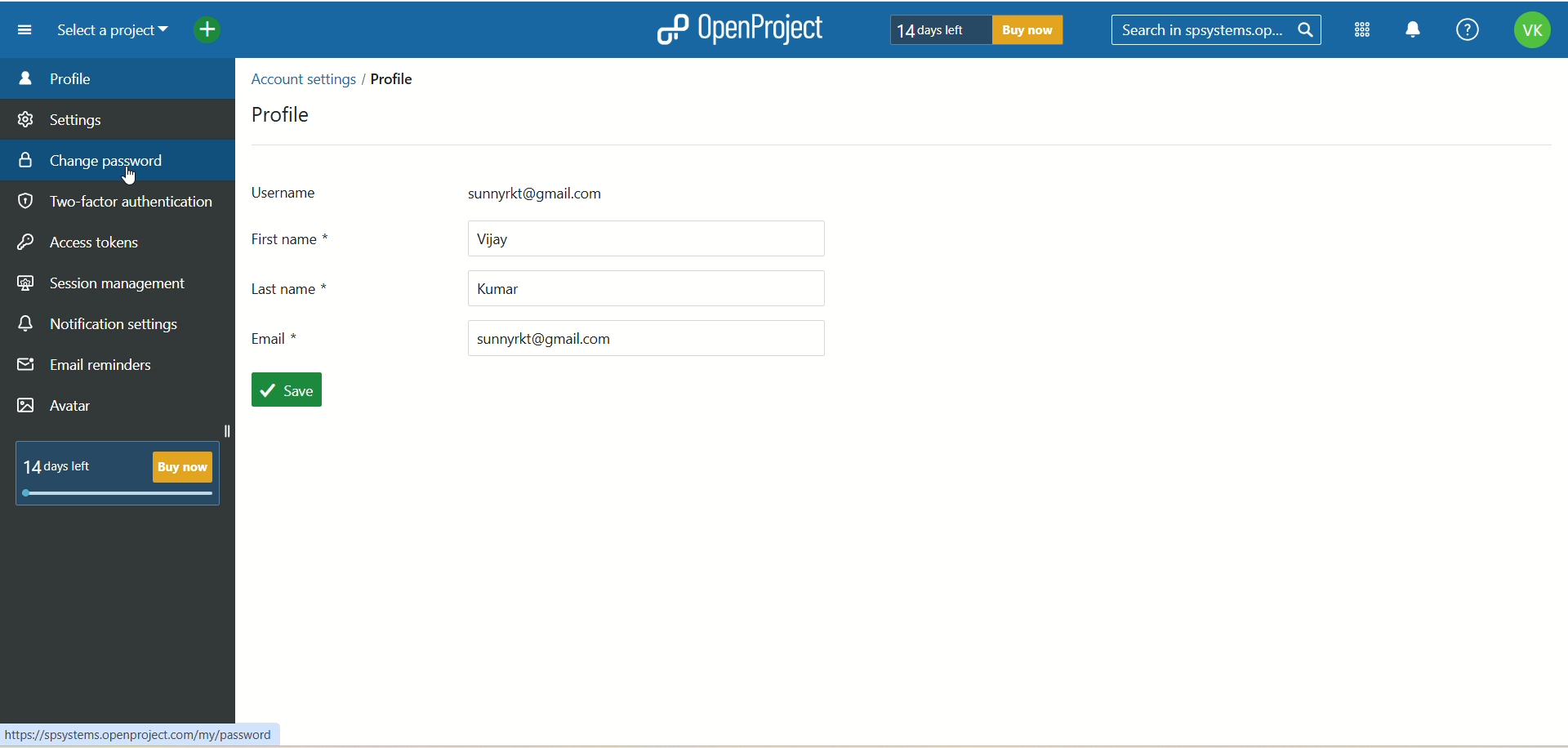 This screenshot has height=748, width=1568. I want to click on account, so click(1531, 33).